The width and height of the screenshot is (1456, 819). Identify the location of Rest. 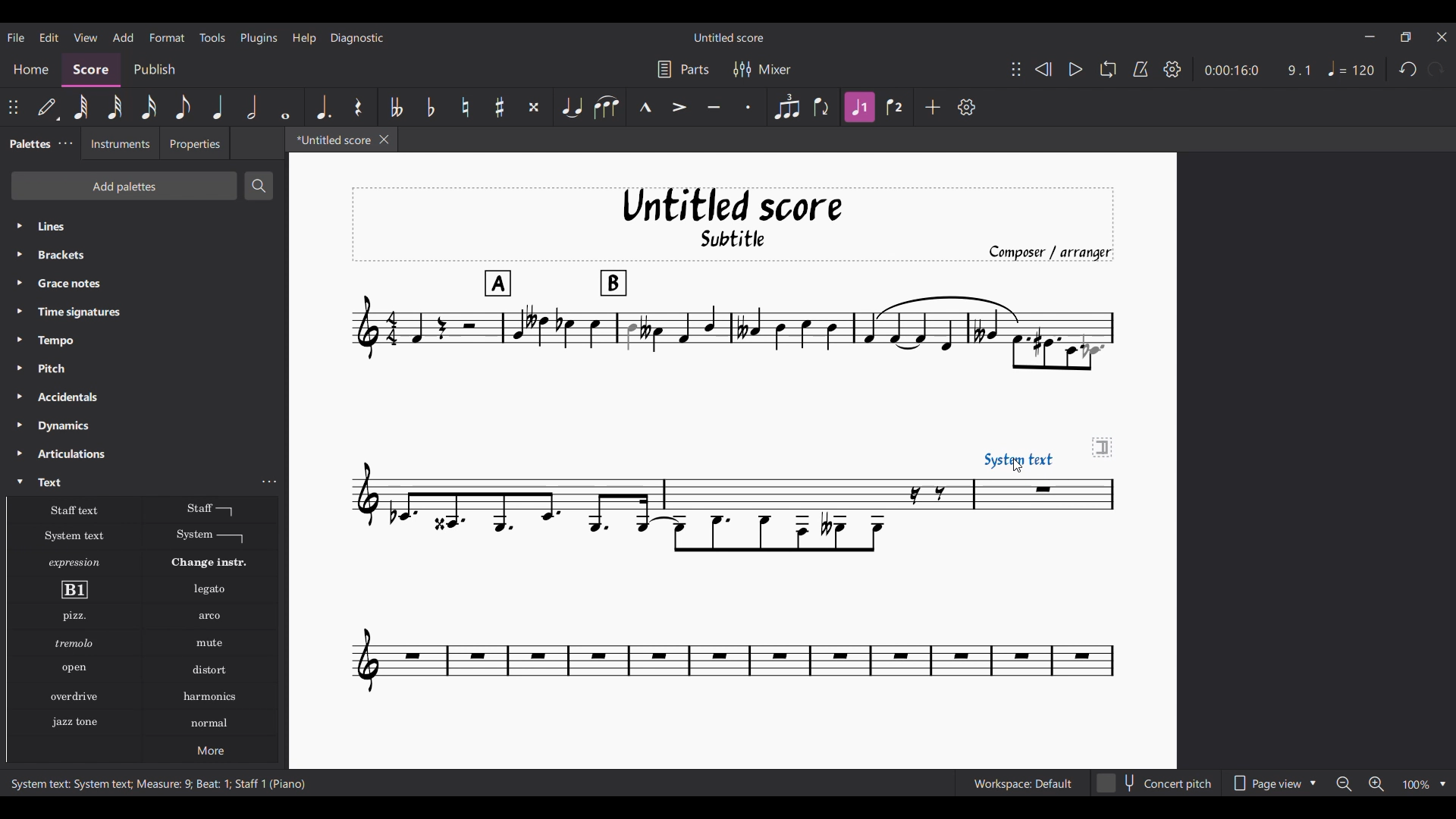
(359, 107).